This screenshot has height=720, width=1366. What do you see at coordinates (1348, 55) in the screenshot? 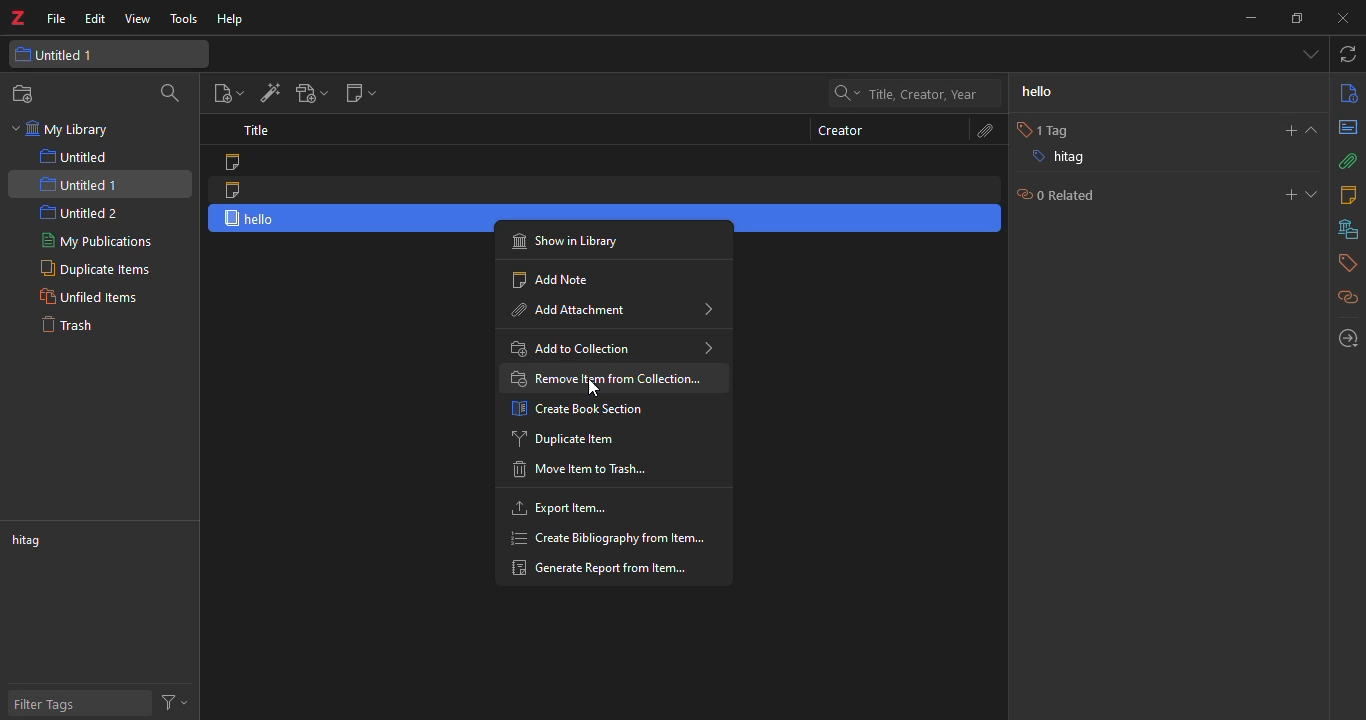
I see `sync` at bounding box center [1348, 55].